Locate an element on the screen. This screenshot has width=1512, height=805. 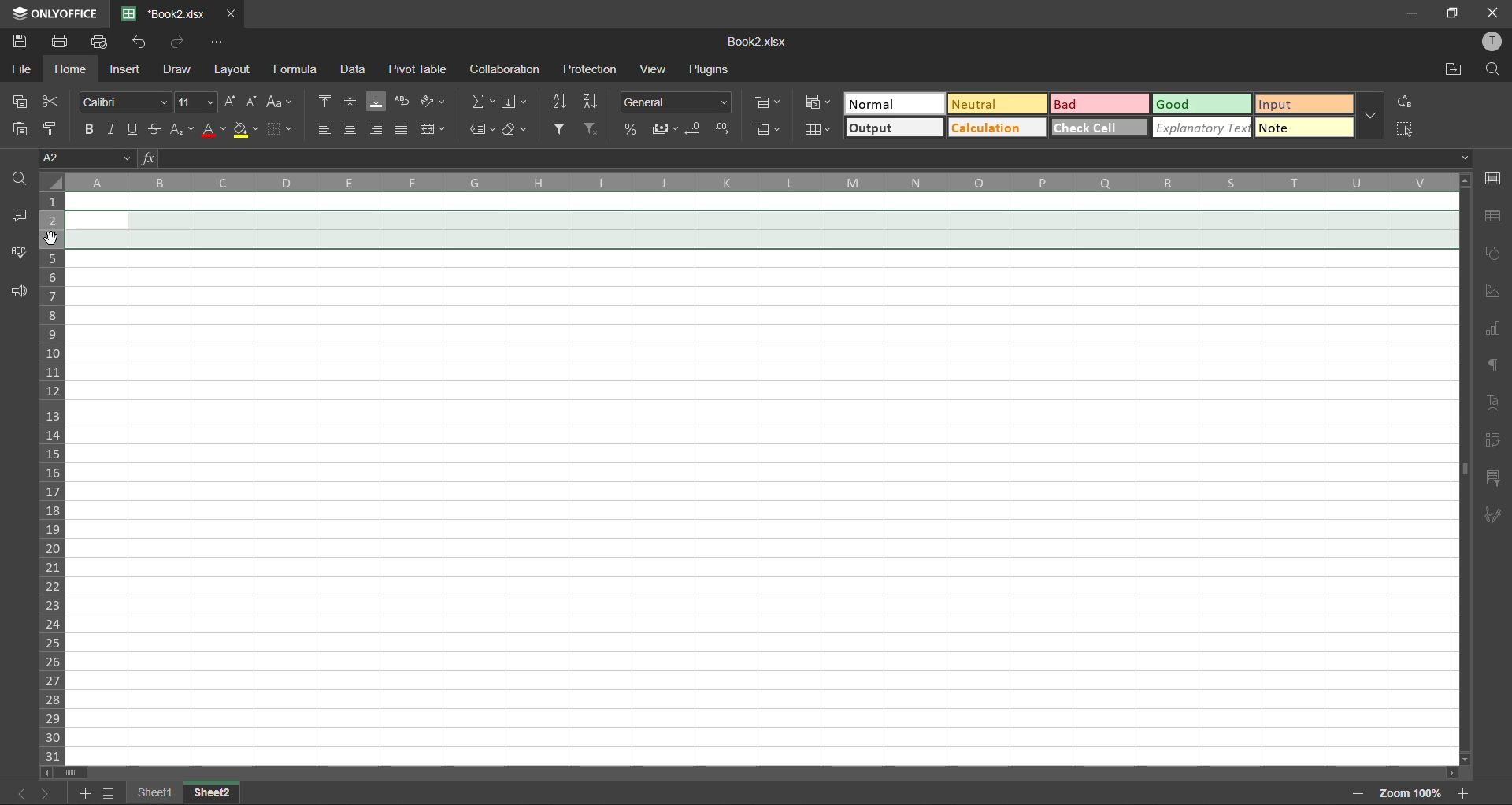
percent is located at coordinates (635, 131).